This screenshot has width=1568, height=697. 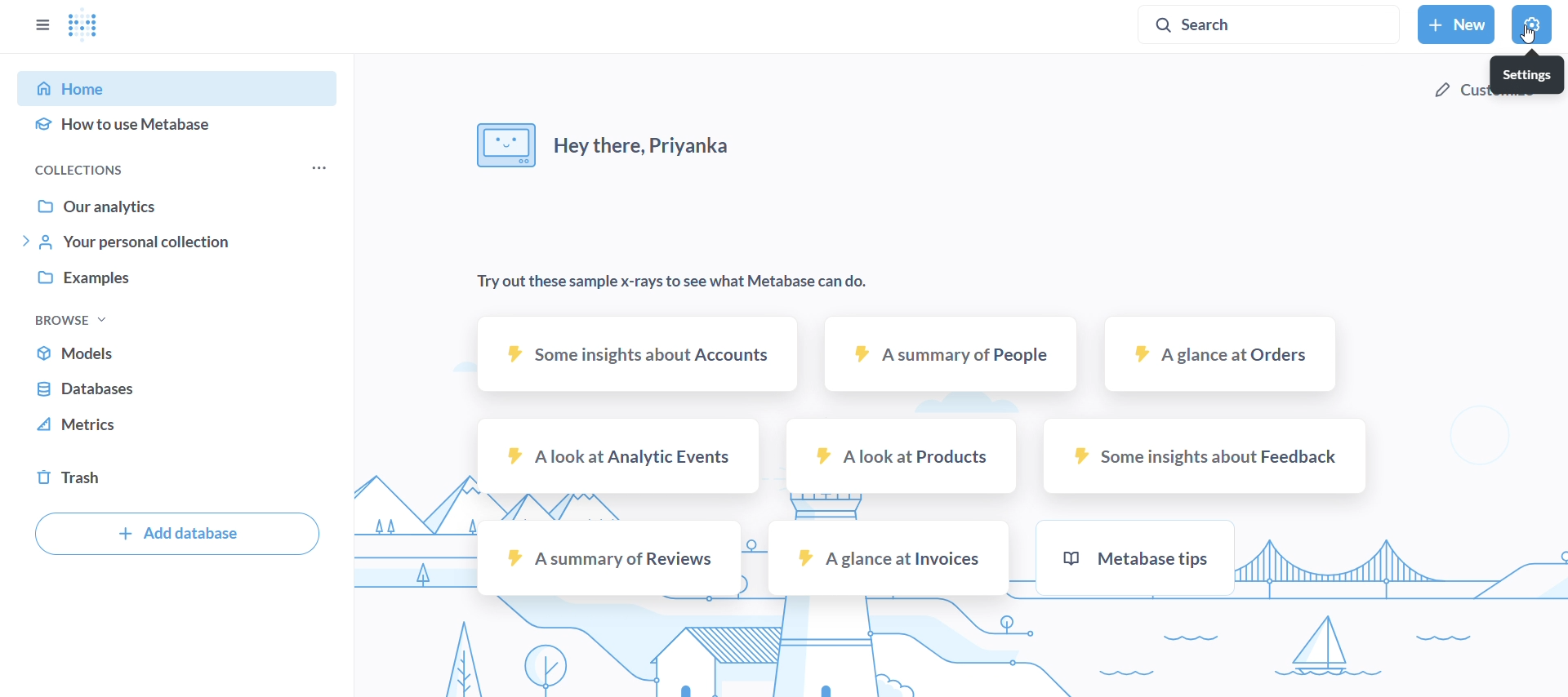 I want to click on some insights about accounts, so click(x=637, y=354).